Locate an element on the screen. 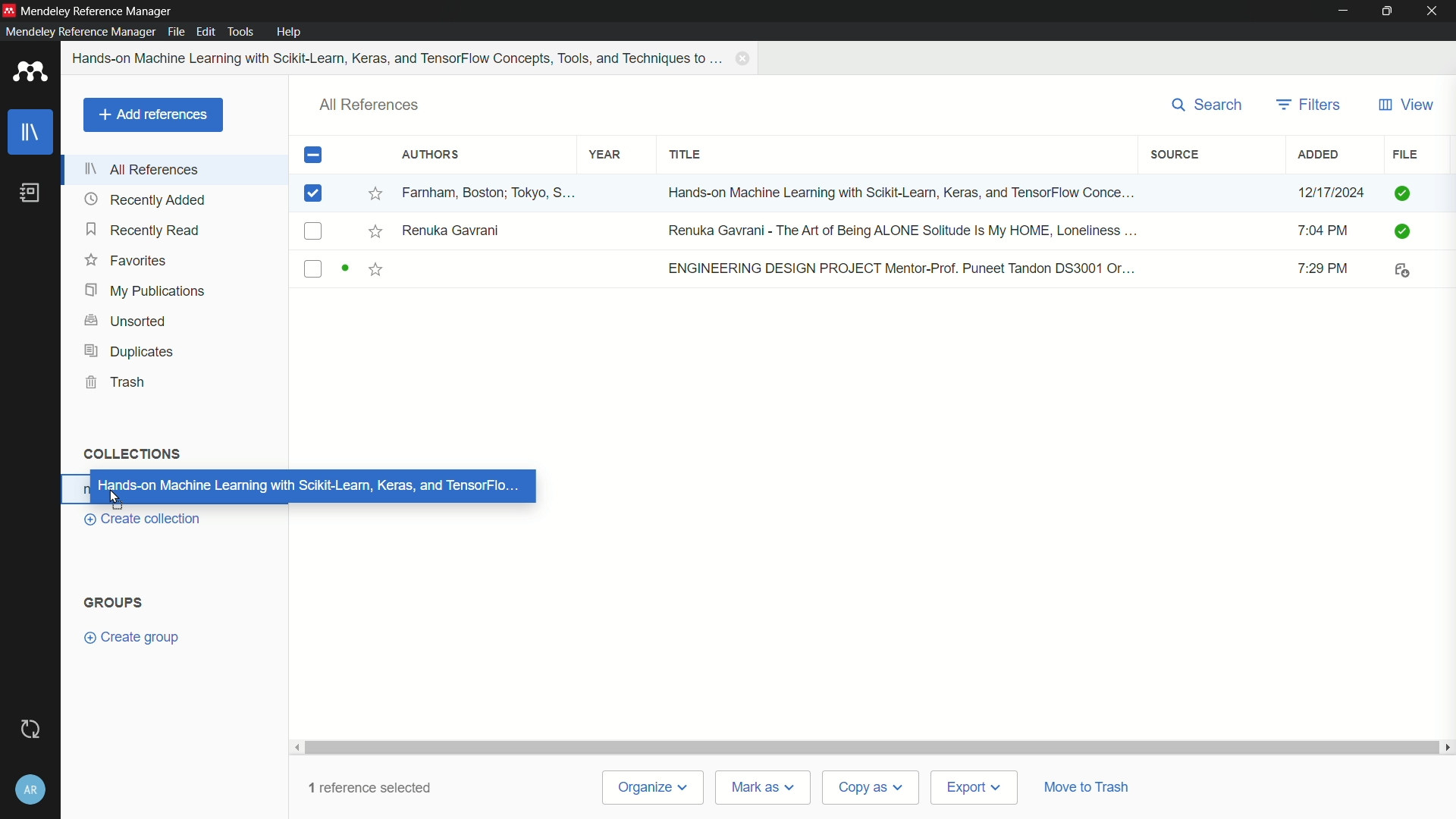 This screenshot has width=1456, height=819. move to trash is located at coordinates (1084, 785).